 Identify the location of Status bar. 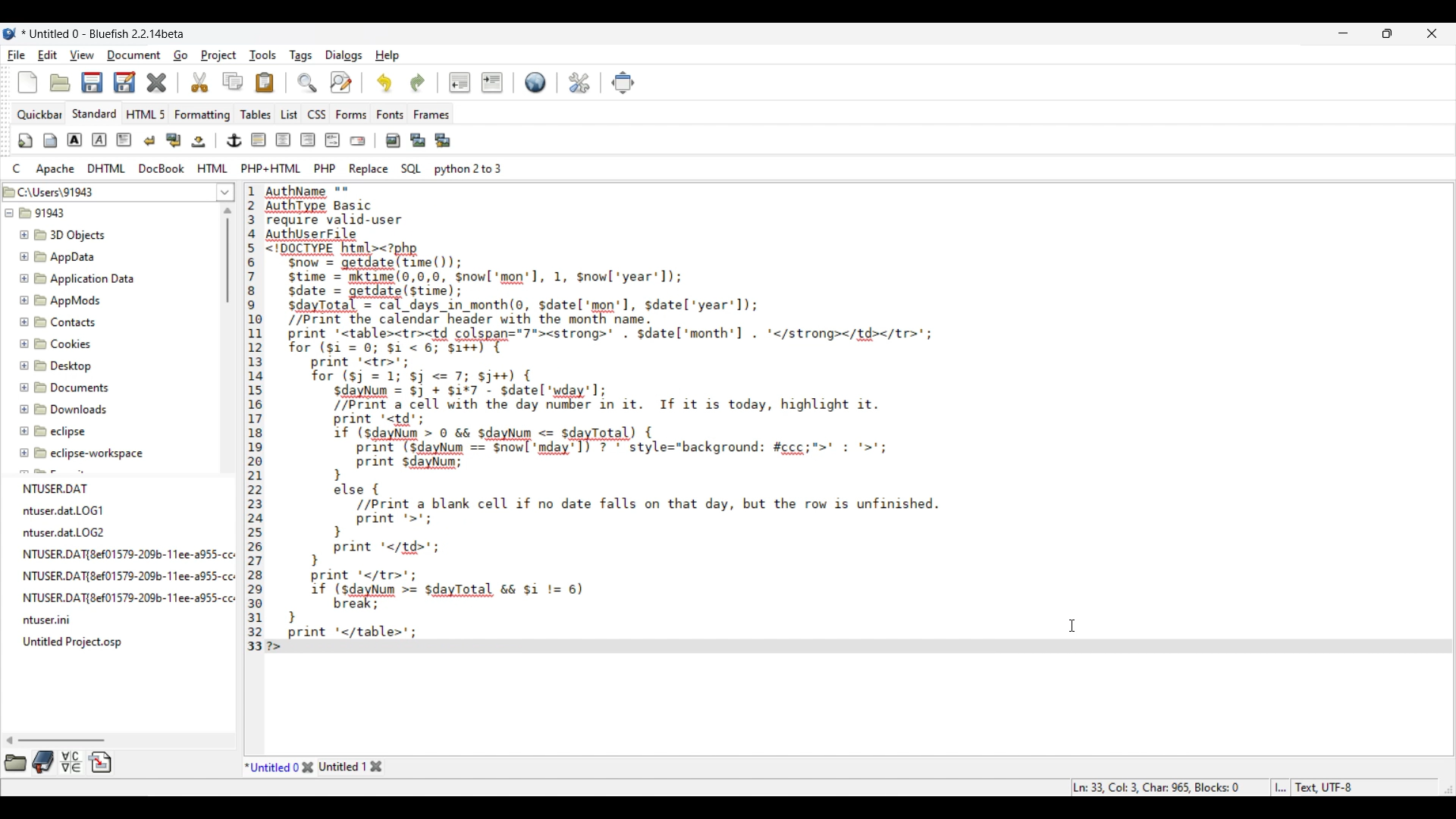
(1214, 787).